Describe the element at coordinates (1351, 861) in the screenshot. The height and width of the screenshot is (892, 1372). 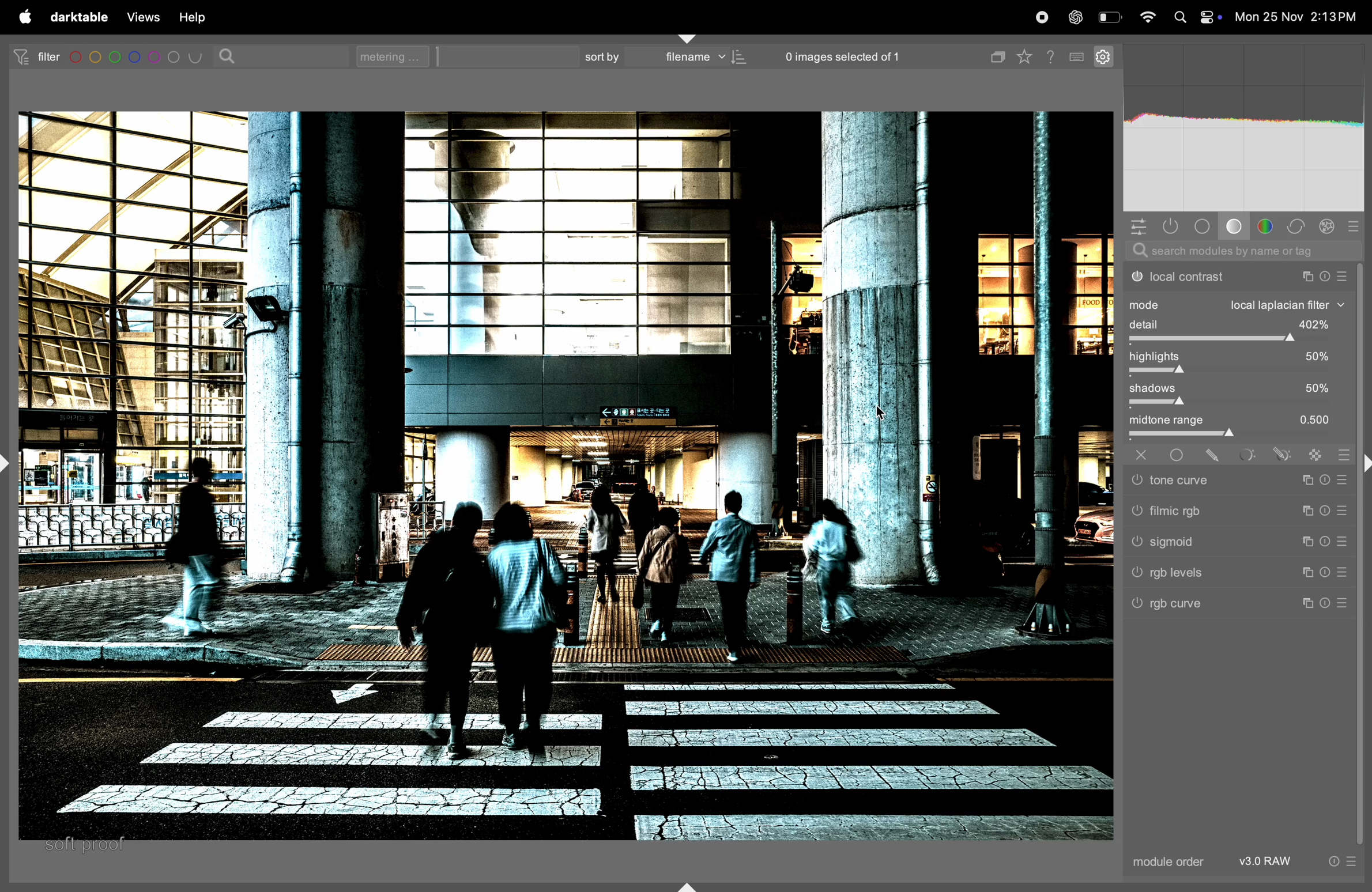
I see `preset` at that location.